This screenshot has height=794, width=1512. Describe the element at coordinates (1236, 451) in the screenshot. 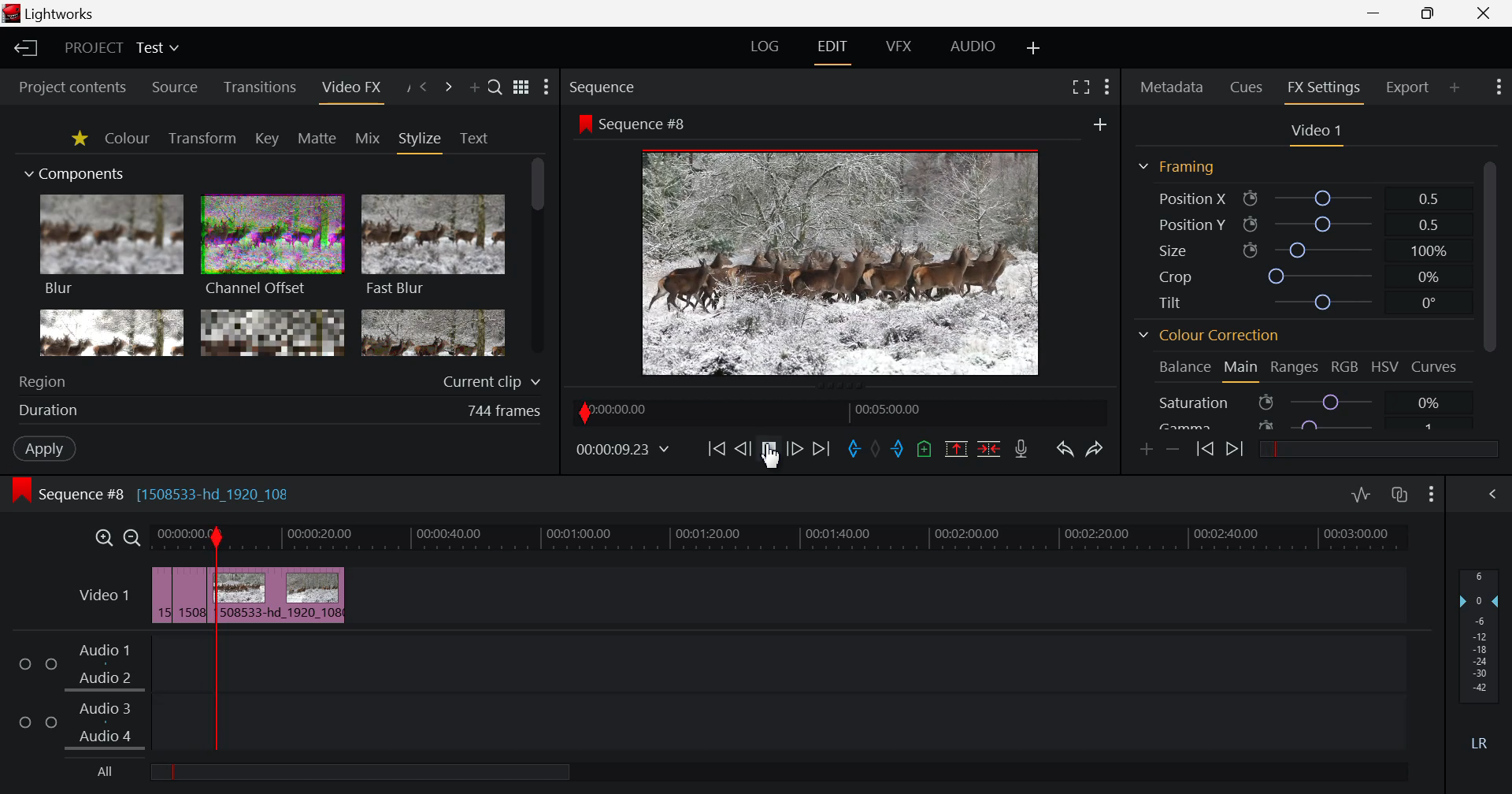

I see `Next keyframe` at that location.